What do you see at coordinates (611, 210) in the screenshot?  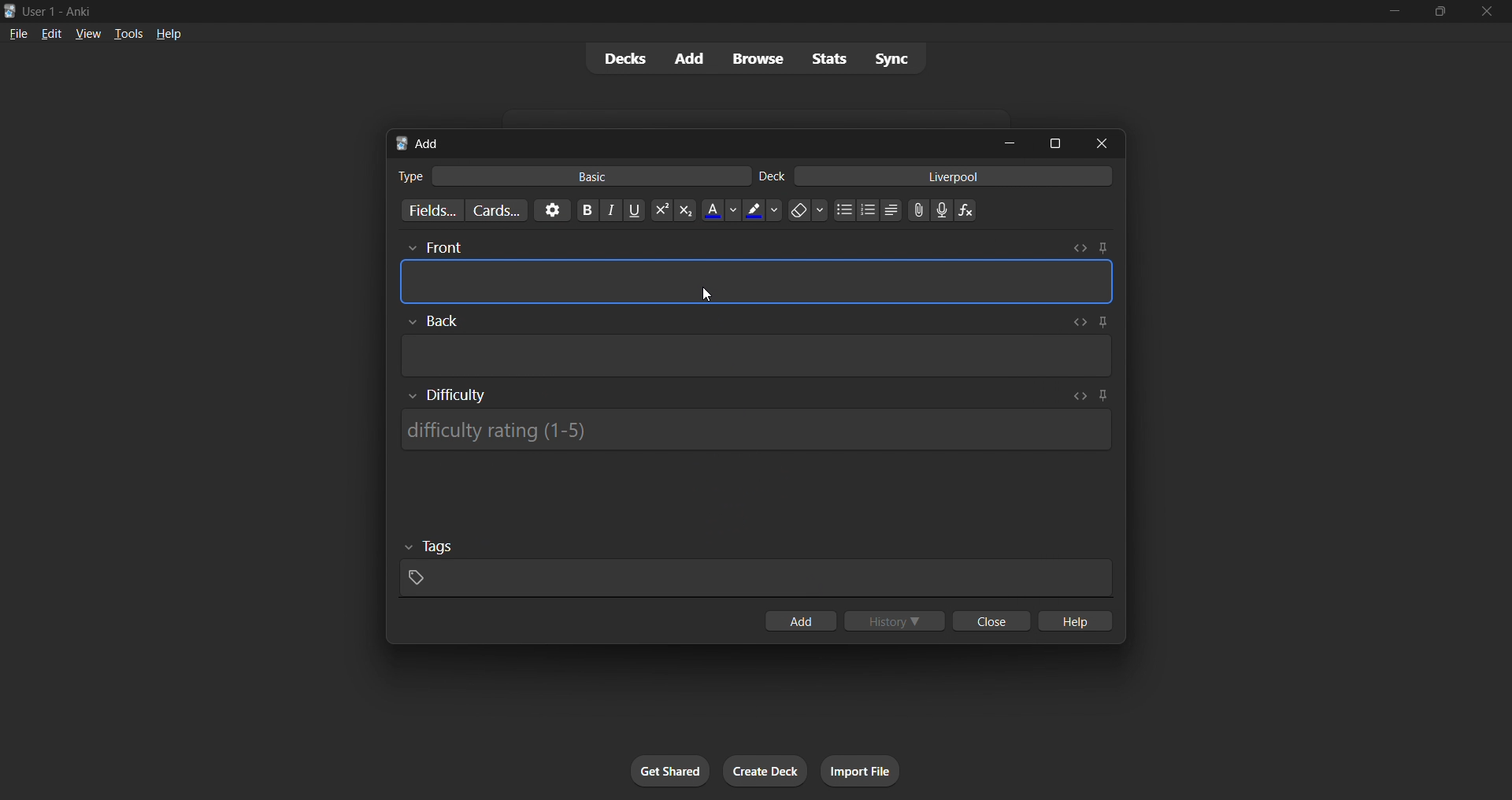 I see `Italics` at bounding box center [611, 210].